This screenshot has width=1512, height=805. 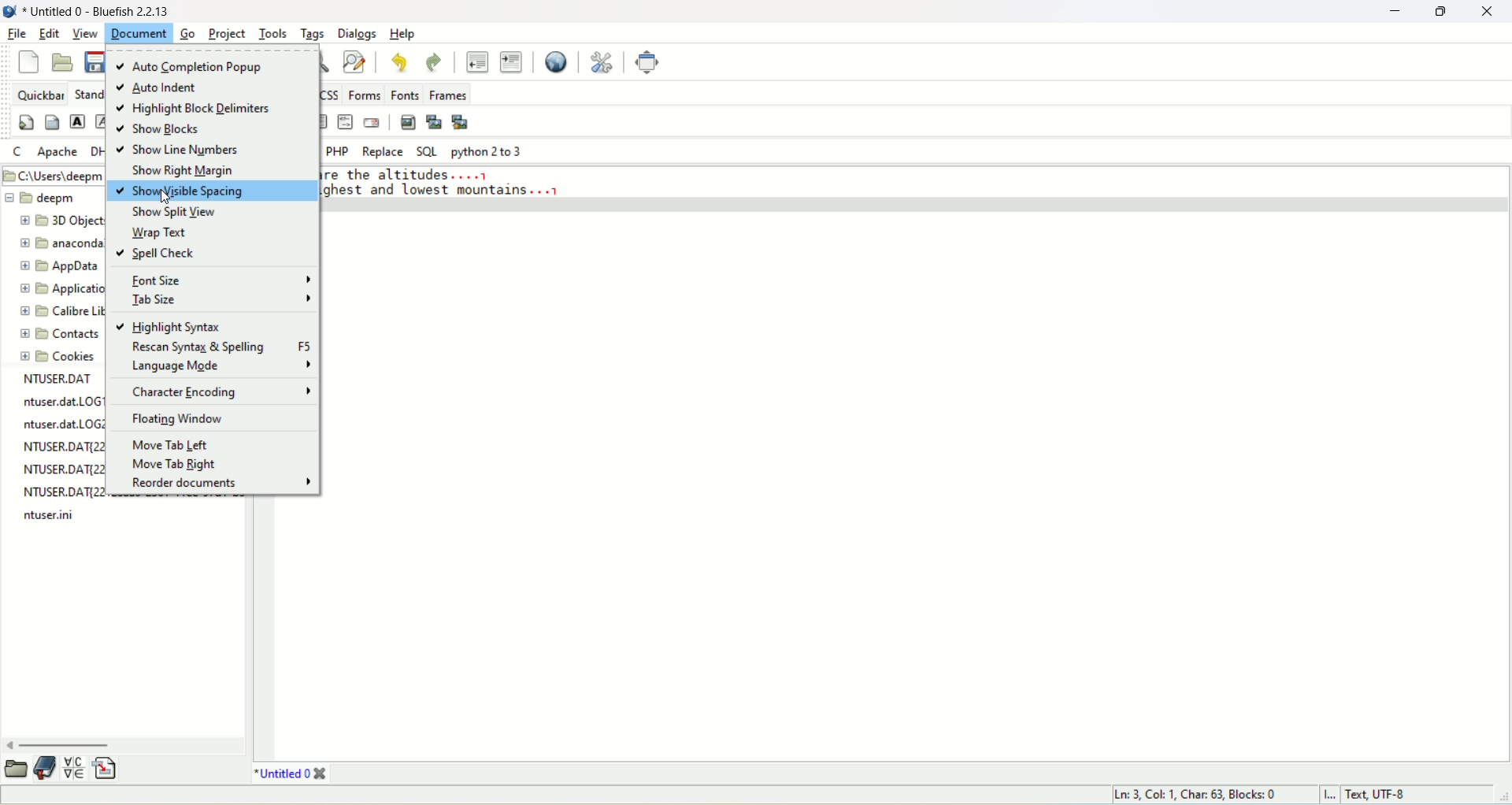 I want to click on forms, so click(x=362, y=92).